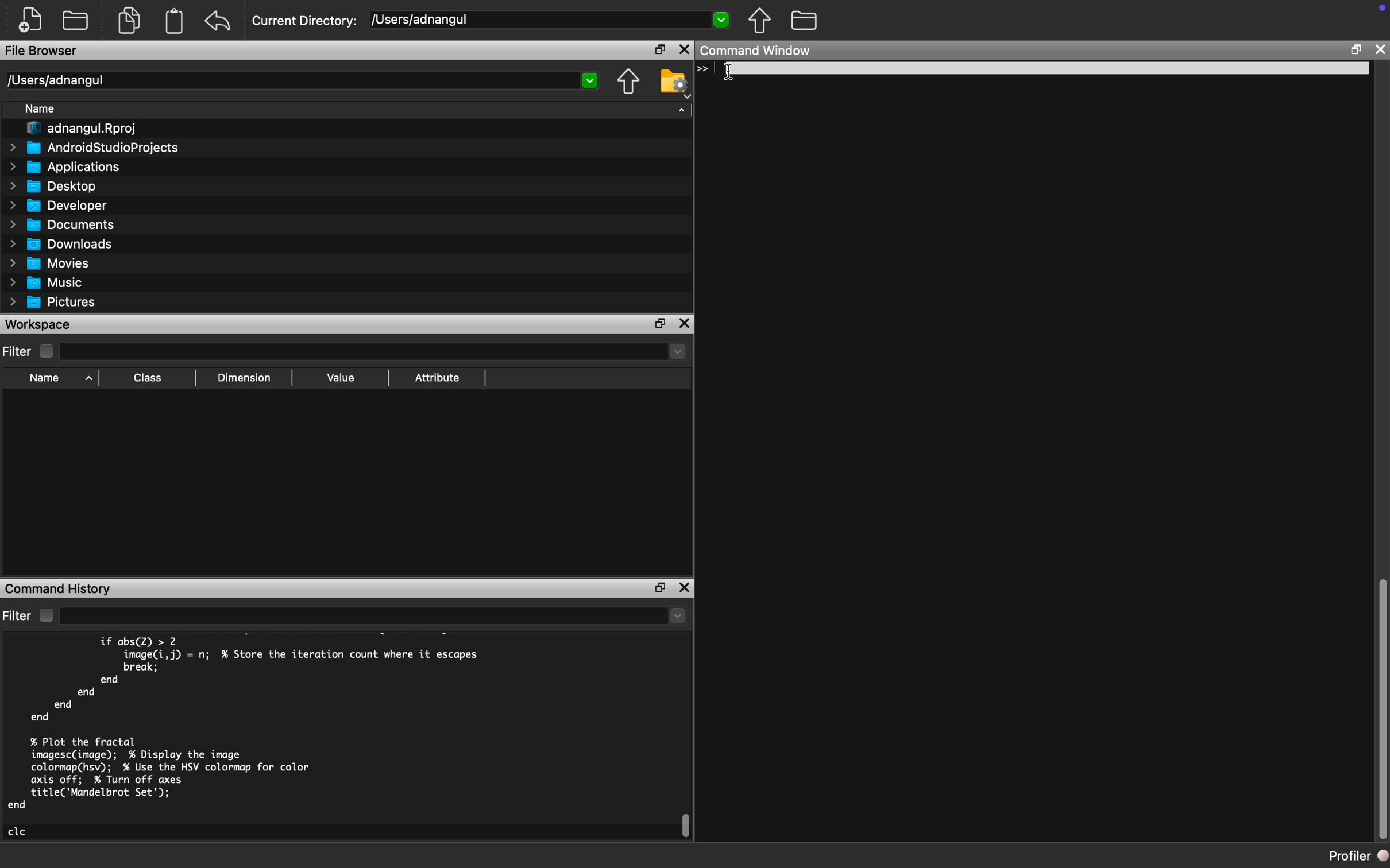  What do you see at coordinates (149, 377) in the screenshot?
I see `Class` at bounding box center [149, 377].